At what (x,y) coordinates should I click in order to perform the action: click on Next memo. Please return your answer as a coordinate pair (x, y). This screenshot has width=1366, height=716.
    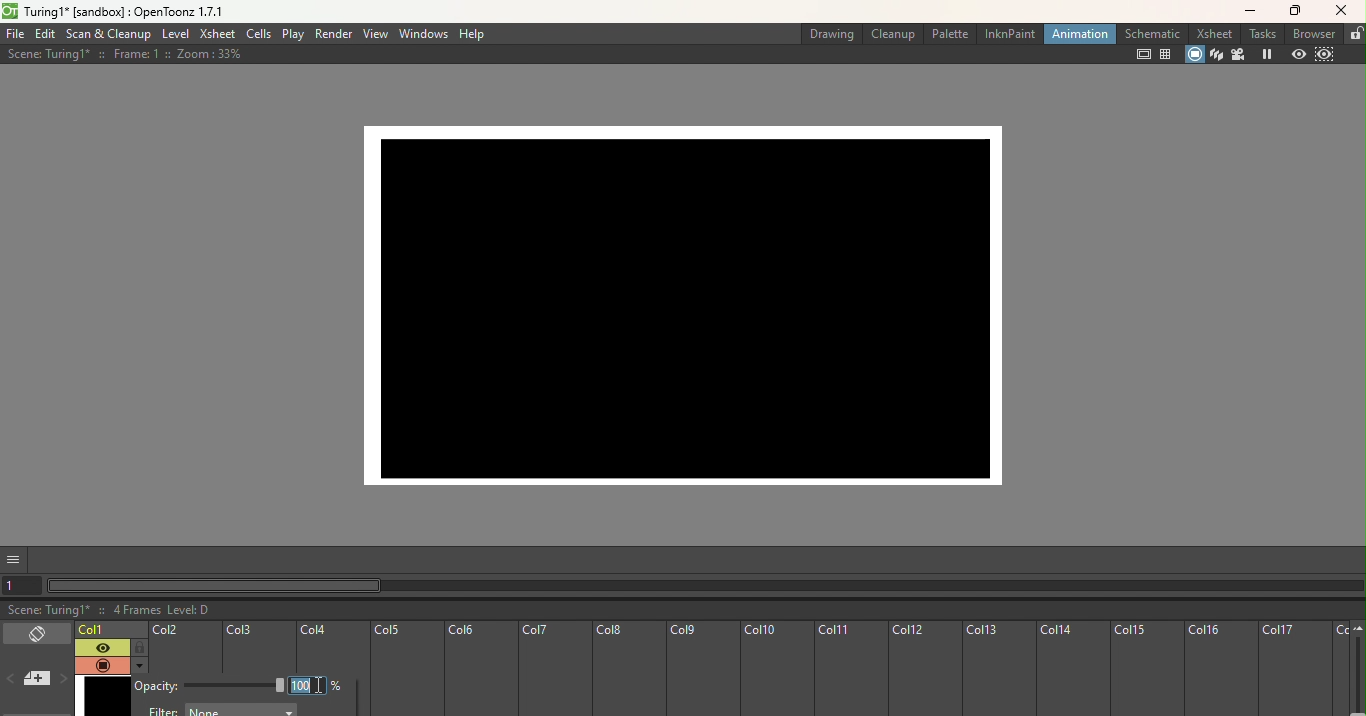
    Looking at the image, I should click on (61, 680).